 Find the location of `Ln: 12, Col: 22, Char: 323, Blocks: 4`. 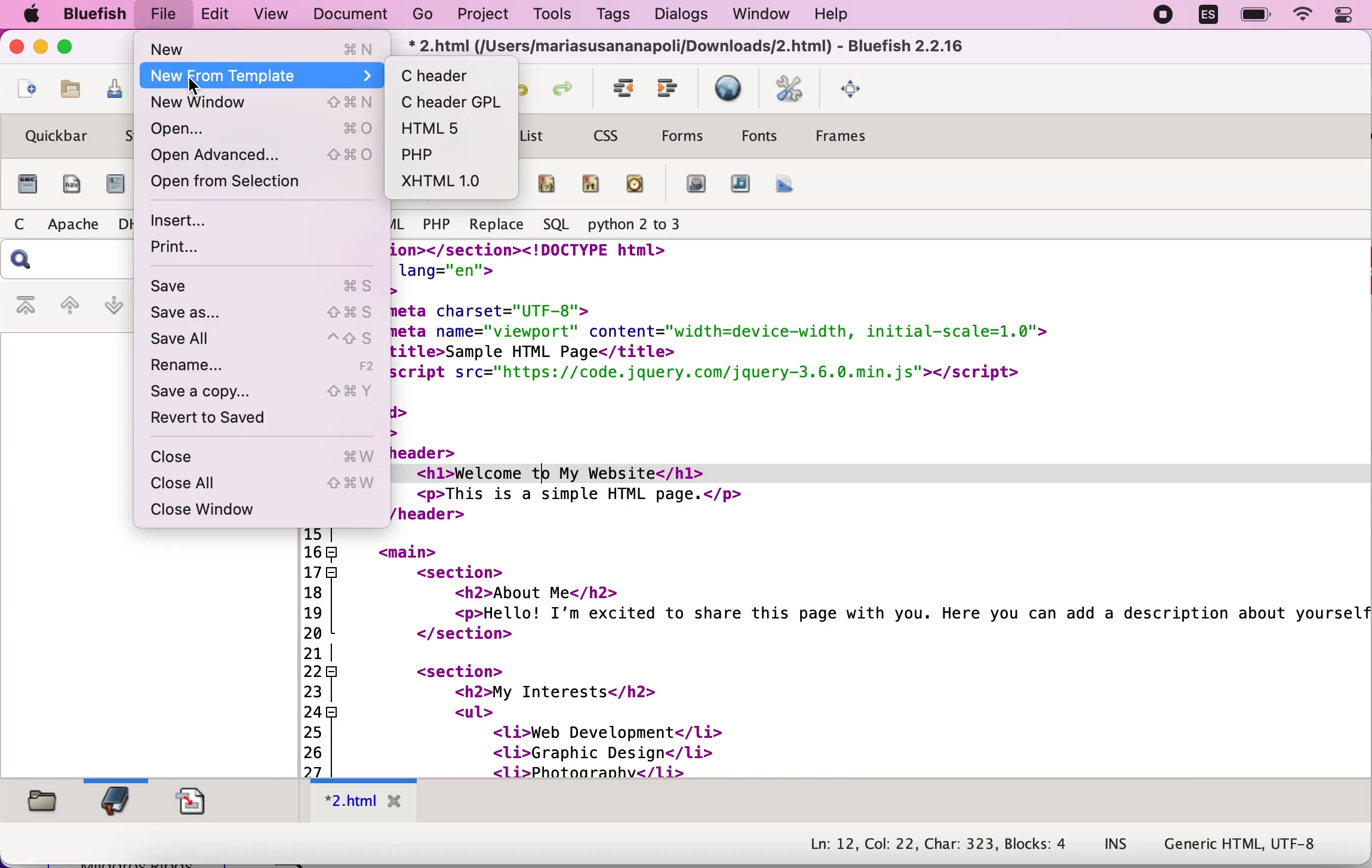

Ln: 12, Col: 22, Char: 323, Blocks: 4 is located at coordinates (936, 841).